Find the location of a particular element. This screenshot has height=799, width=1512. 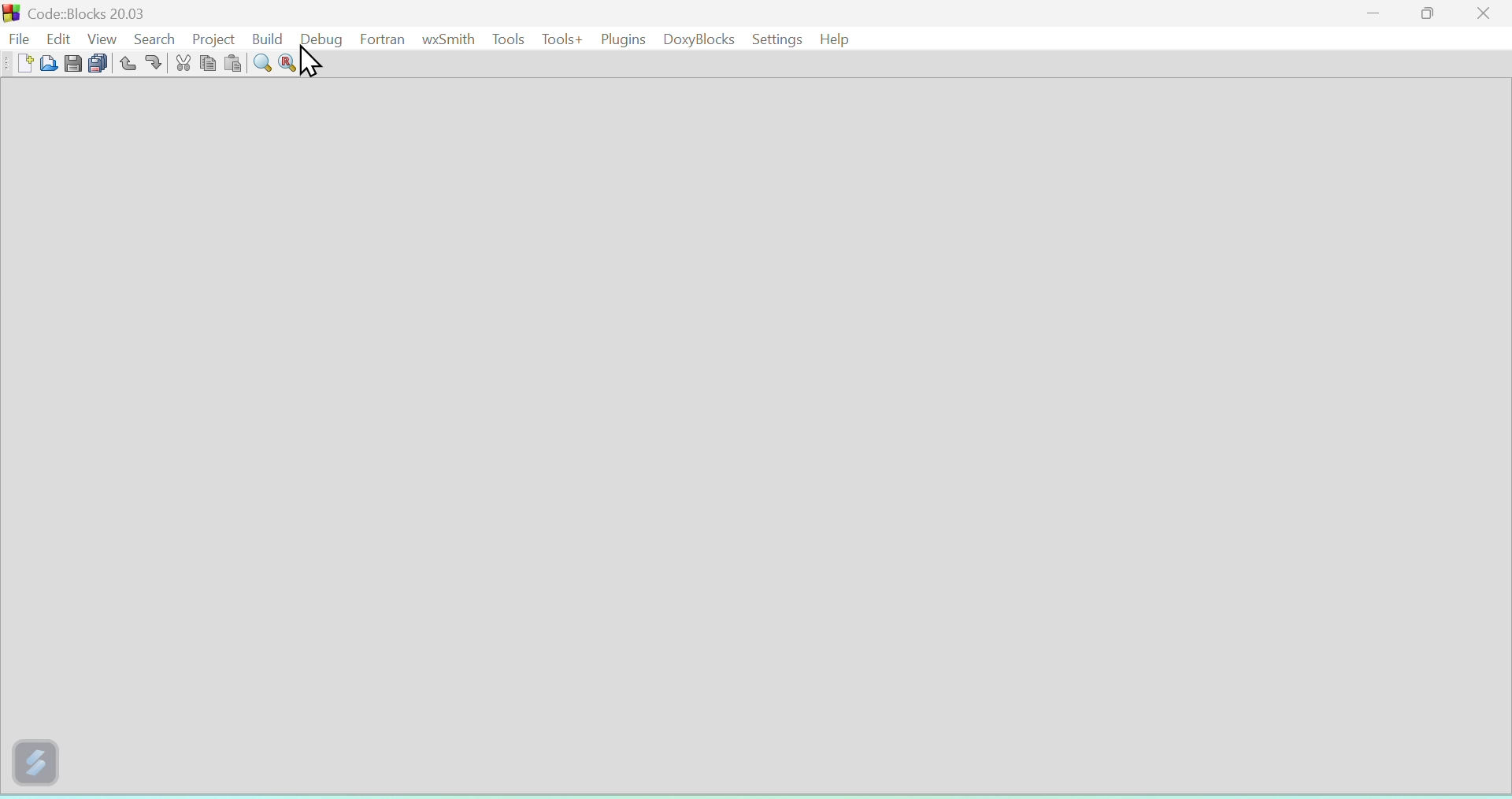

new file is located at coordinates (22, 63).